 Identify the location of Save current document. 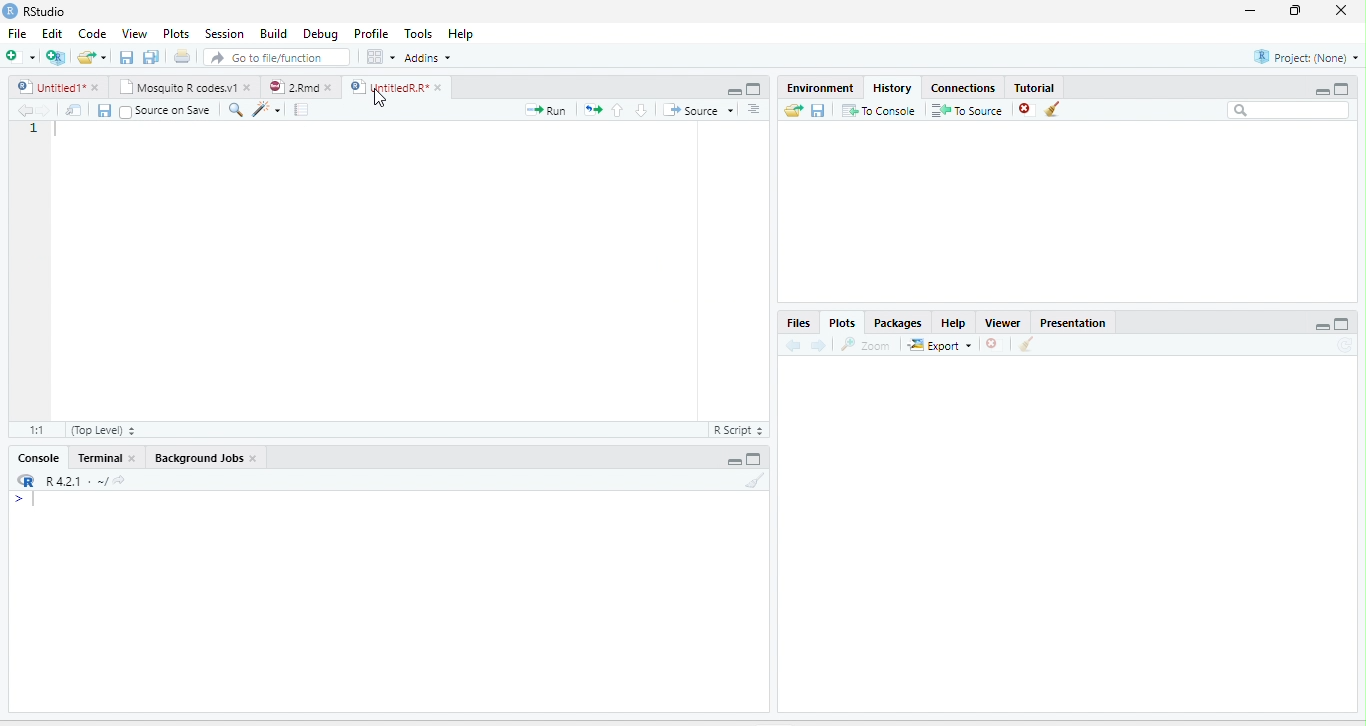
(104, 111).